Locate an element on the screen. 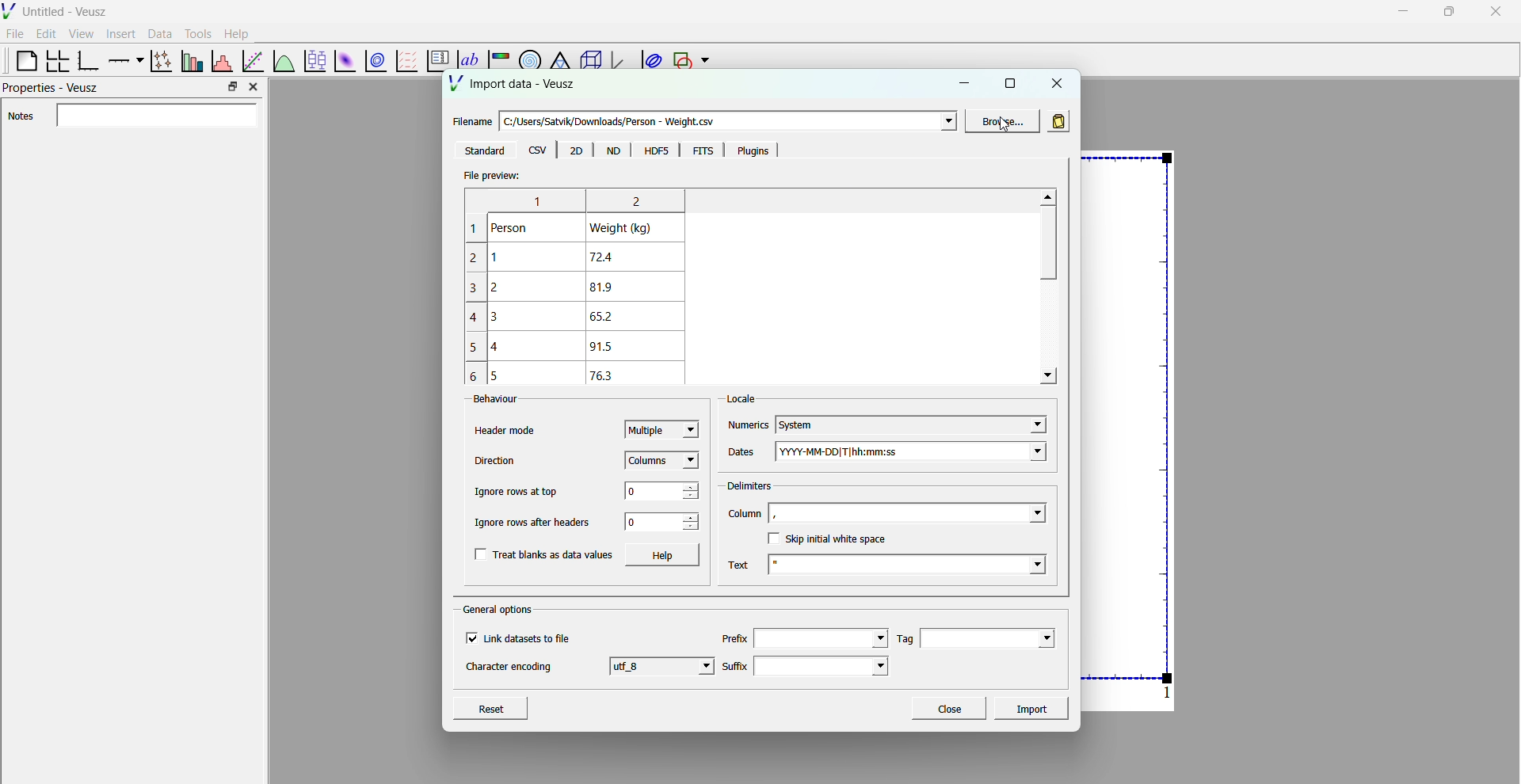  Locale is located at coordinates (744, 394).